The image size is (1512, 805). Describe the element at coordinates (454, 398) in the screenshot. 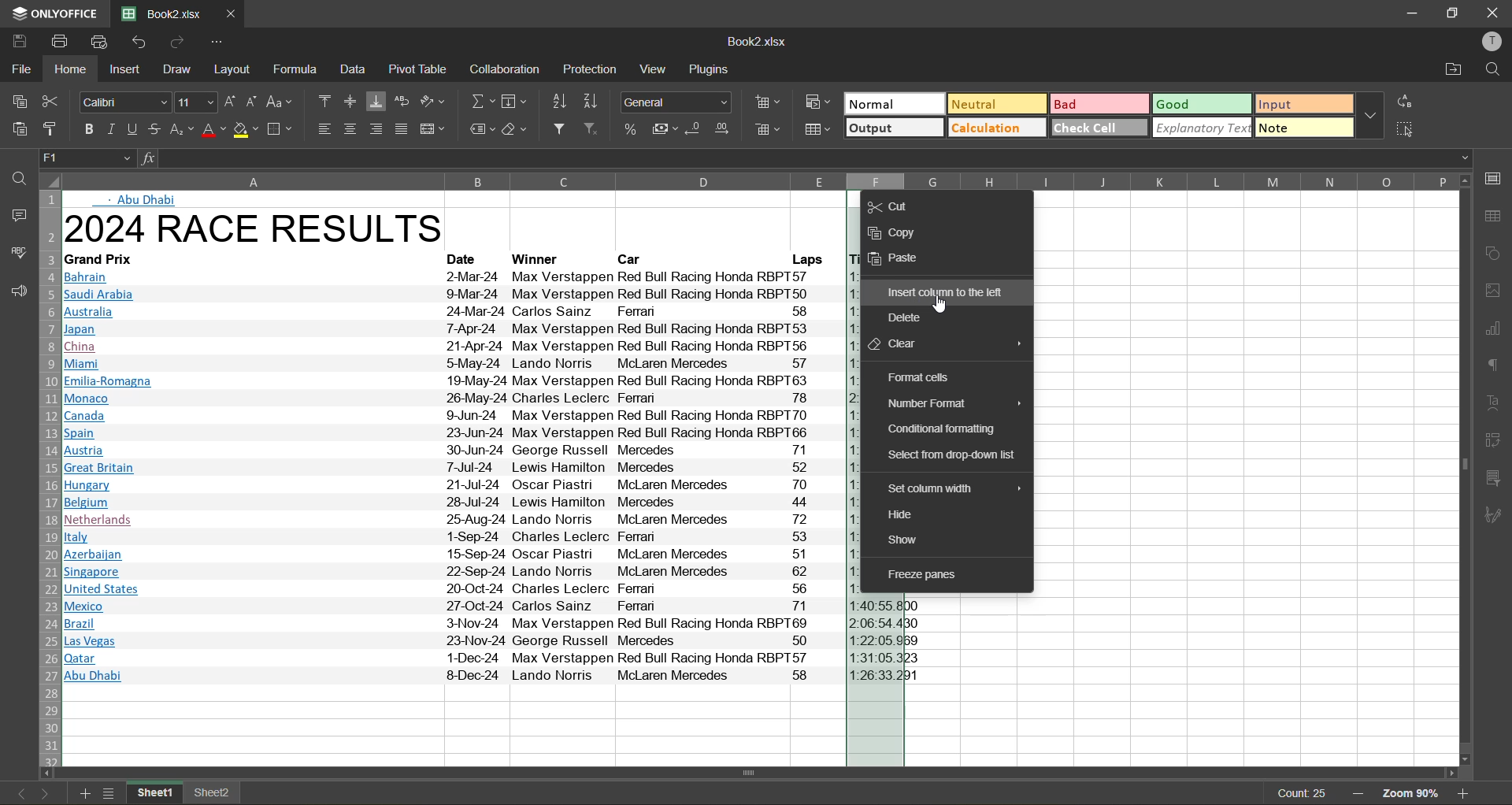

I see `Monaco 26-May-24 Charles Leclerc Ferran 78 2-23:15.55¢` at that location.